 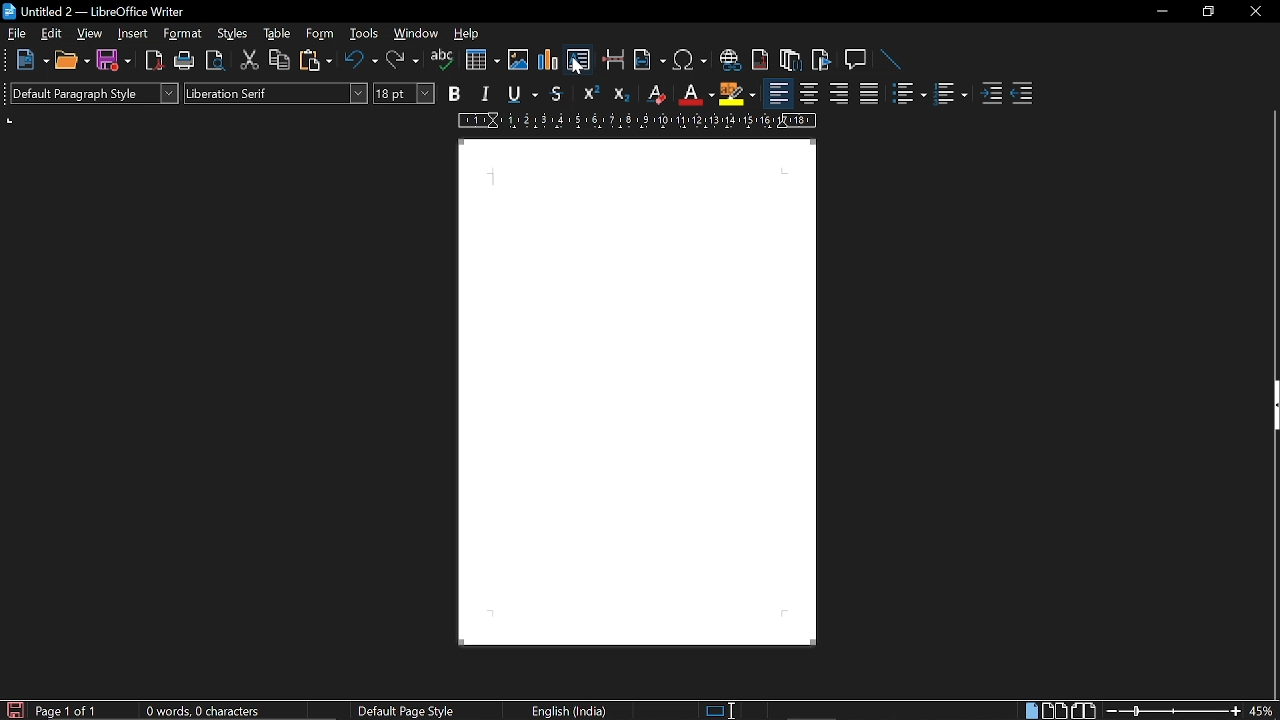 I want to click on edit, so click(x=53, y=34).